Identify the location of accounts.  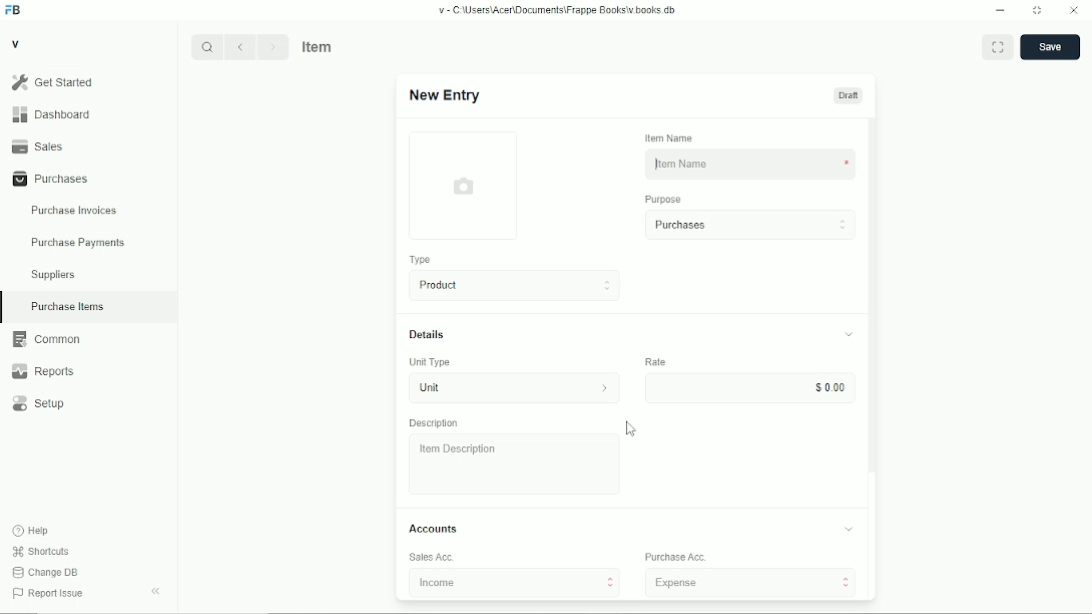
(433, 528).